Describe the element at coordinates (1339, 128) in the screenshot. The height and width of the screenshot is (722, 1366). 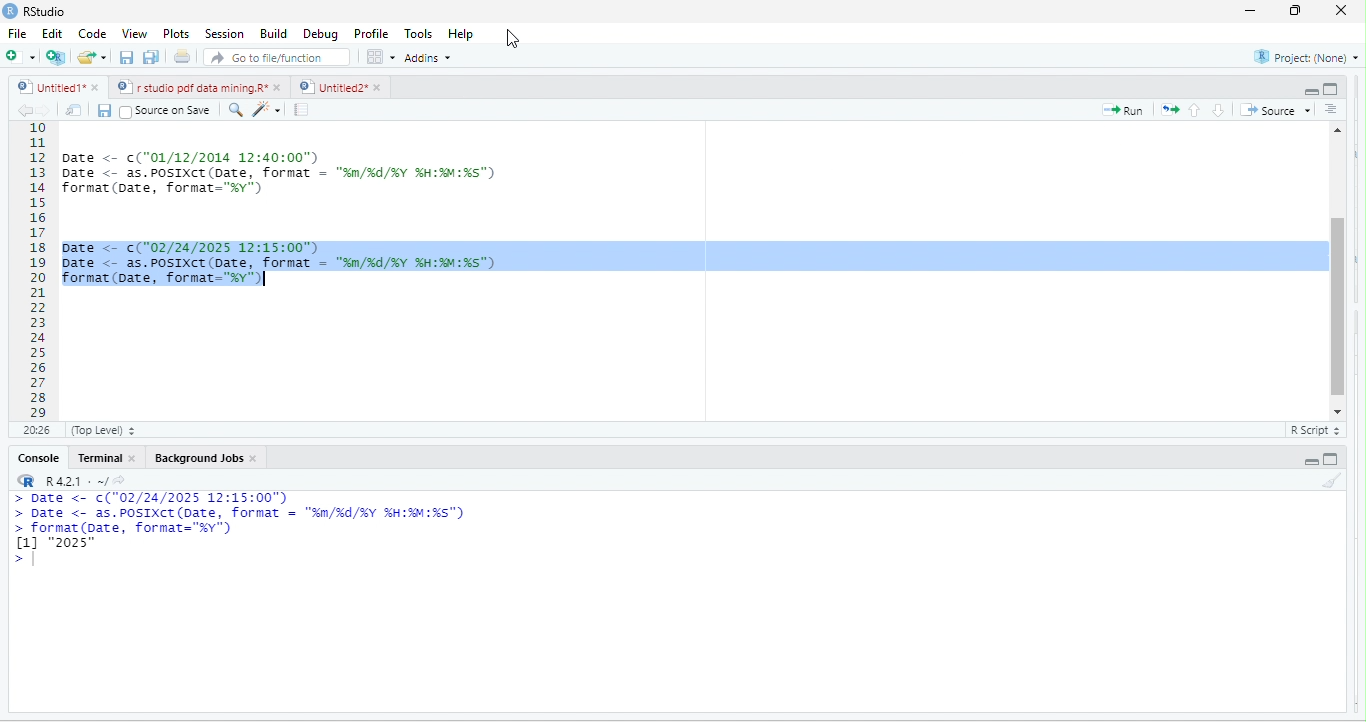
I see `scroll up` at that location.